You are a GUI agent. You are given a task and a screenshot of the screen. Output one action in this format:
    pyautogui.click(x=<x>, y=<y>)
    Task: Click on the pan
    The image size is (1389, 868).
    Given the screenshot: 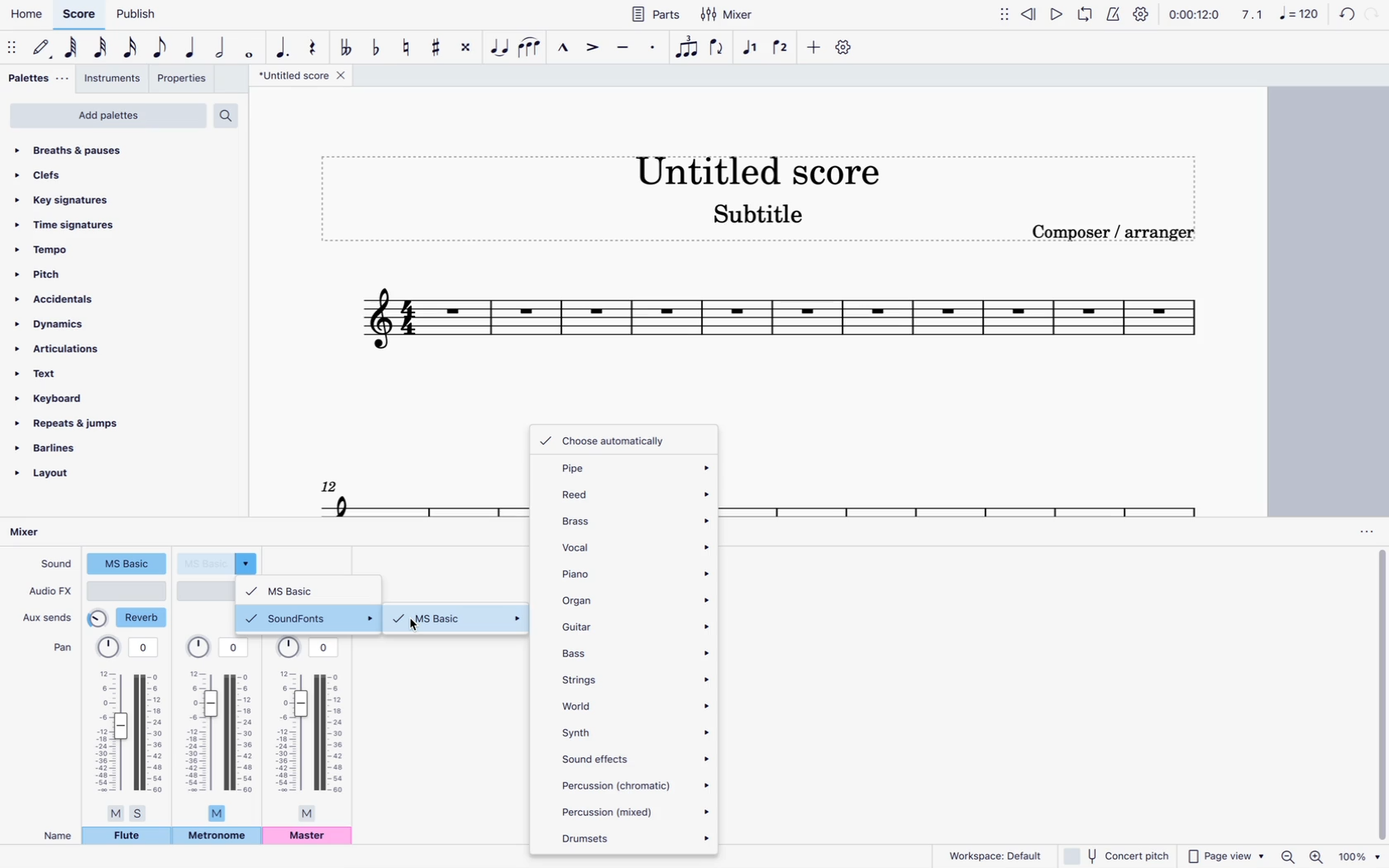 What is the action you would take?
    pyautogui.click(x=312, y=729)
    